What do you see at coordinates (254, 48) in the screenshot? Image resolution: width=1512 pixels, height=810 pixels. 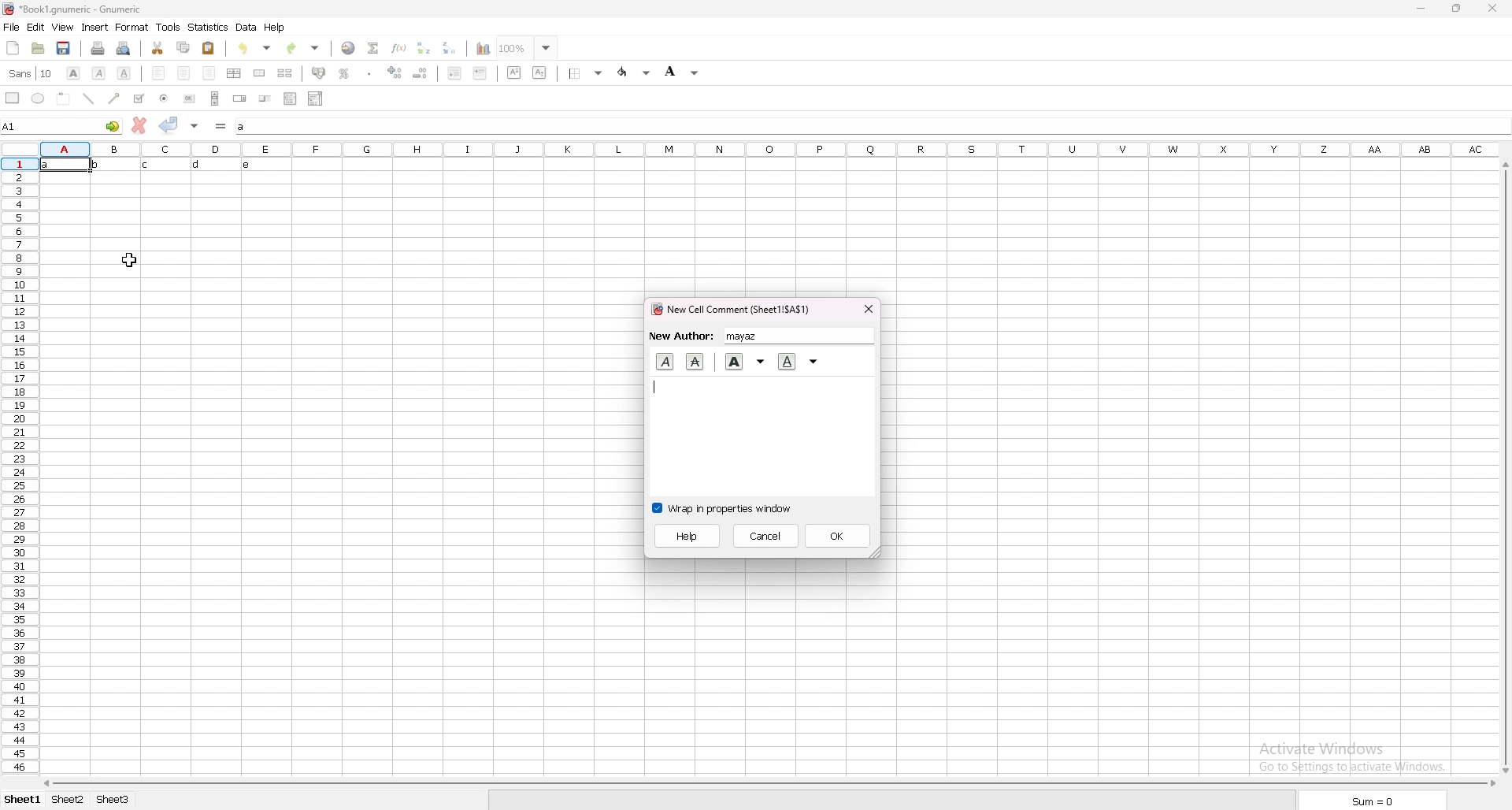 I see `undo` at bounding box center [254, 48].